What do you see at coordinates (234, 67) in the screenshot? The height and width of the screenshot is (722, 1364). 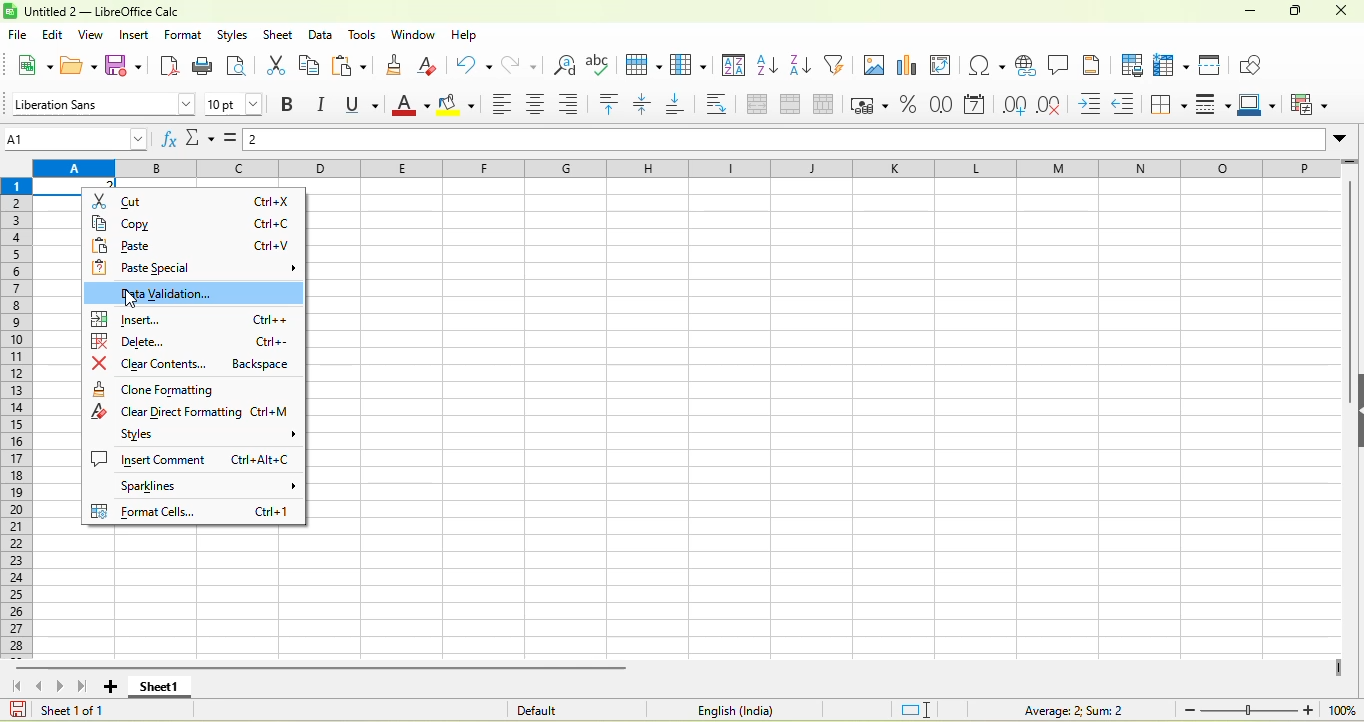 I see `print preview` at bounding box center [234, 67].